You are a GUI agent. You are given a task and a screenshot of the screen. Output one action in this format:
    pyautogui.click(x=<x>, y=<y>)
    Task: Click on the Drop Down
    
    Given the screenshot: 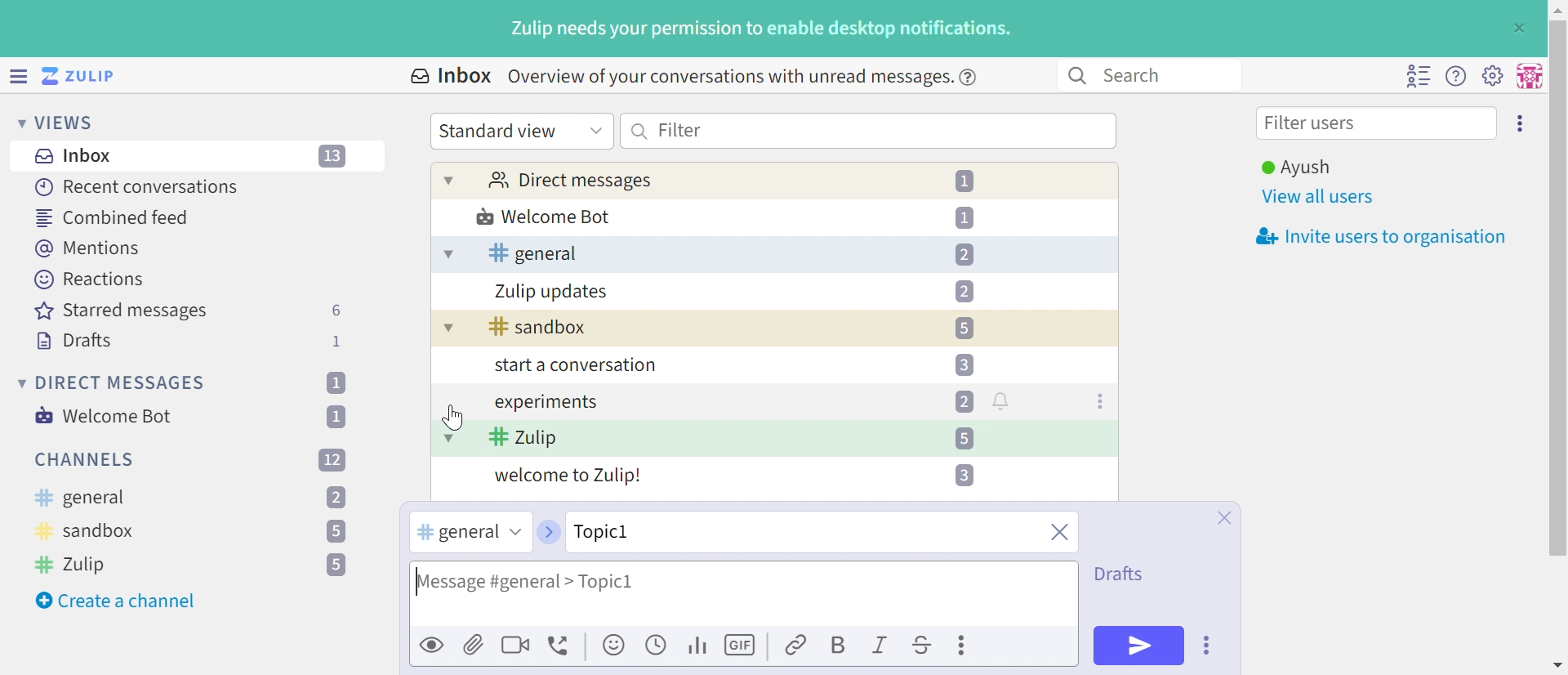 What is the action you would take?
    pyautogui.click(x=16, y=122)
    